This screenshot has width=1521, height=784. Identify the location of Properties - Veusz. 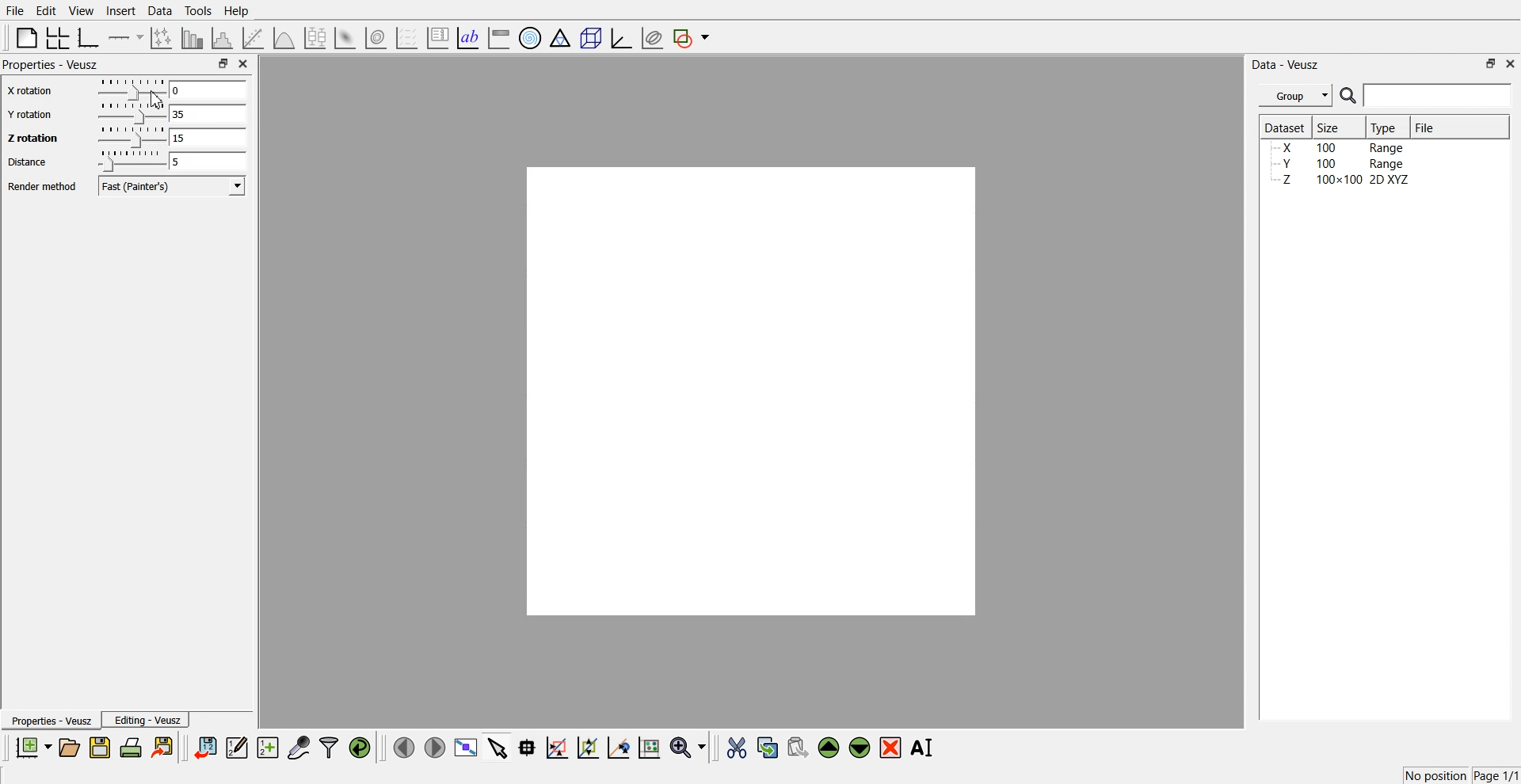
(51, 64).